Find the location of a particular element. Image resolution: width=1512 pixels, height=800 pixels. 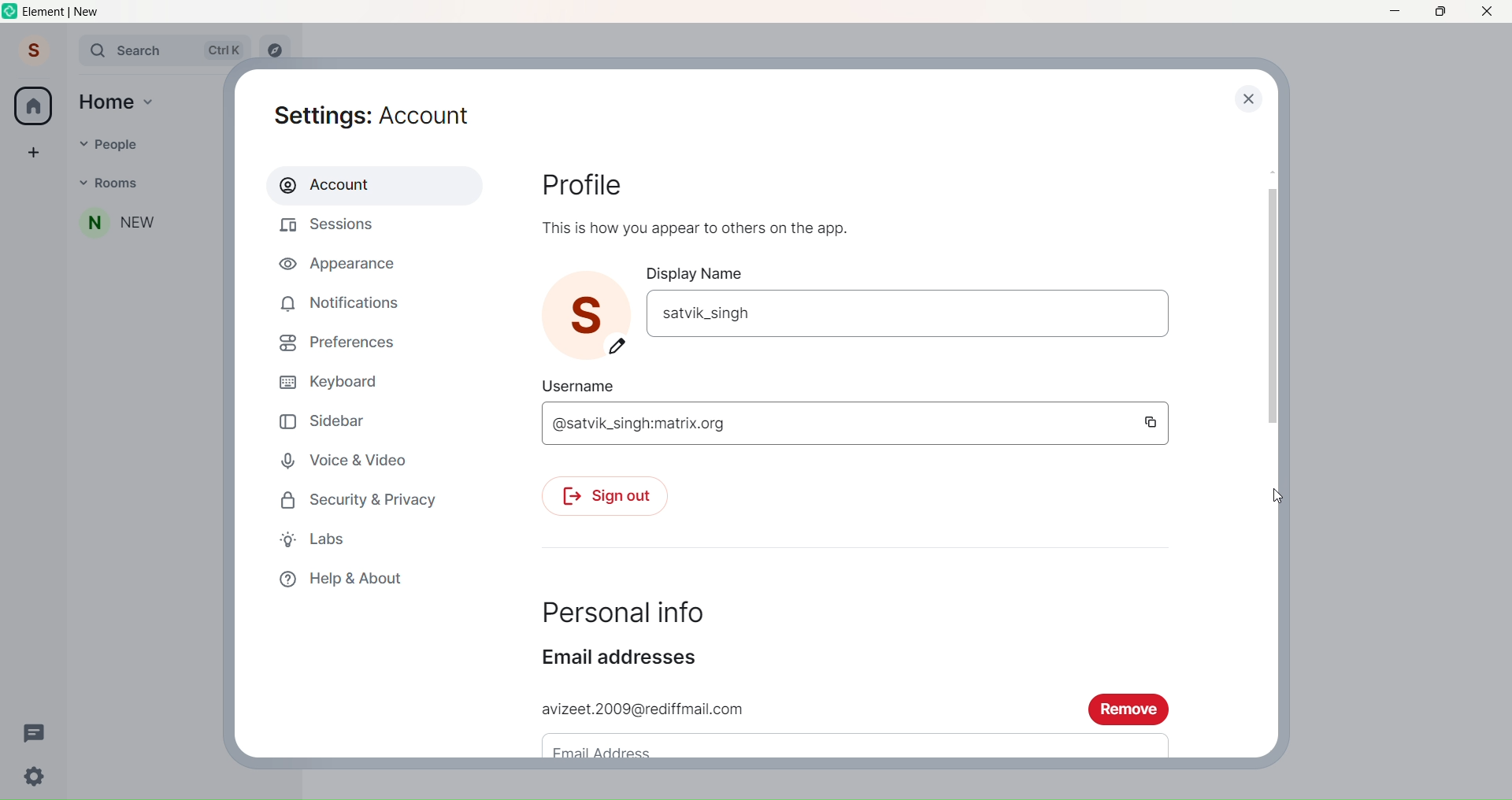

Create a space is located at coordinates (33, 151).